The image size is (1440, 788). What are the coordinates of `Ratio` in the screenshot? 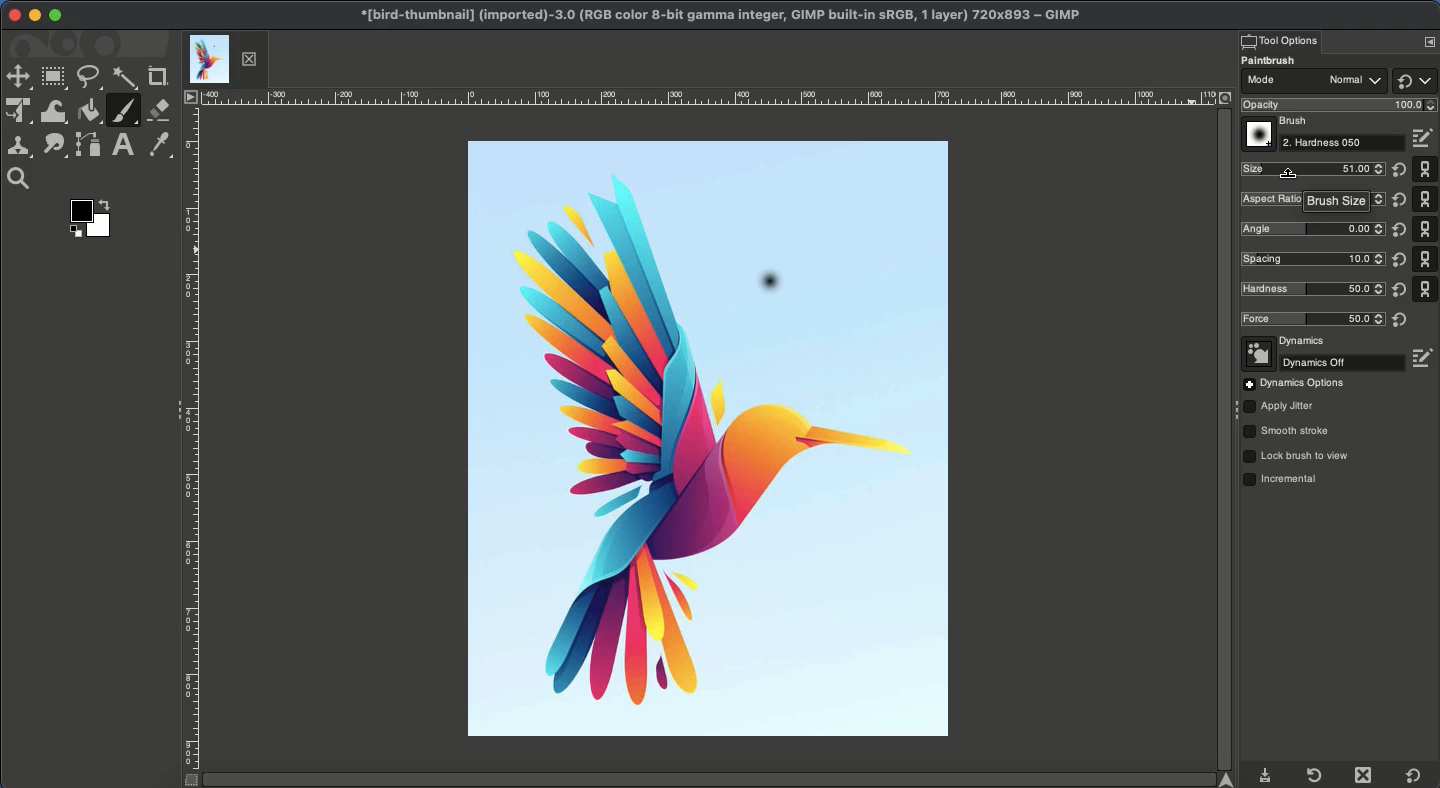 It's located at (1314, 200).